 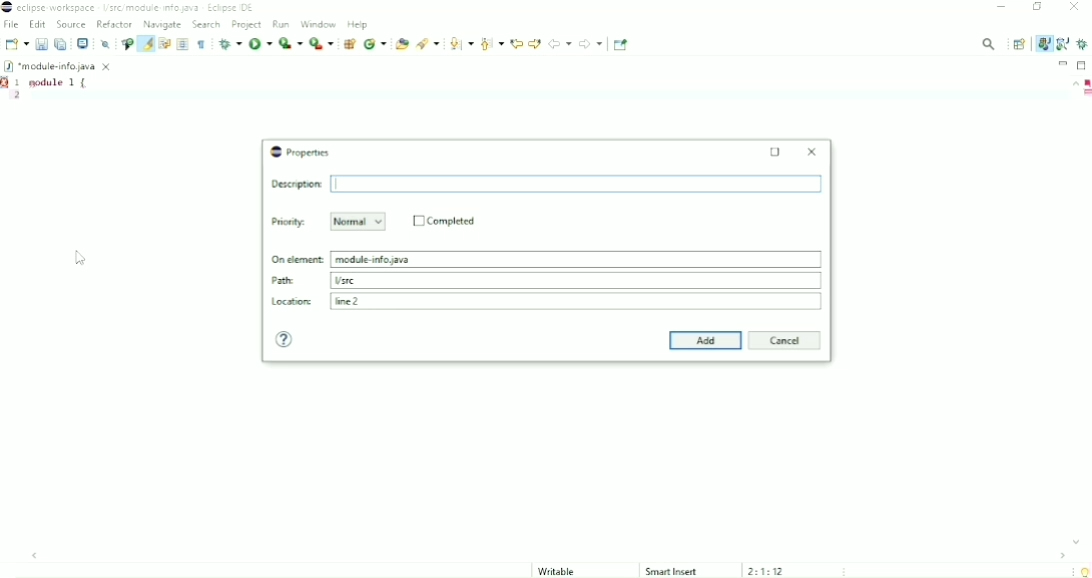 I want to click on Help, so click(x=358, y=24).